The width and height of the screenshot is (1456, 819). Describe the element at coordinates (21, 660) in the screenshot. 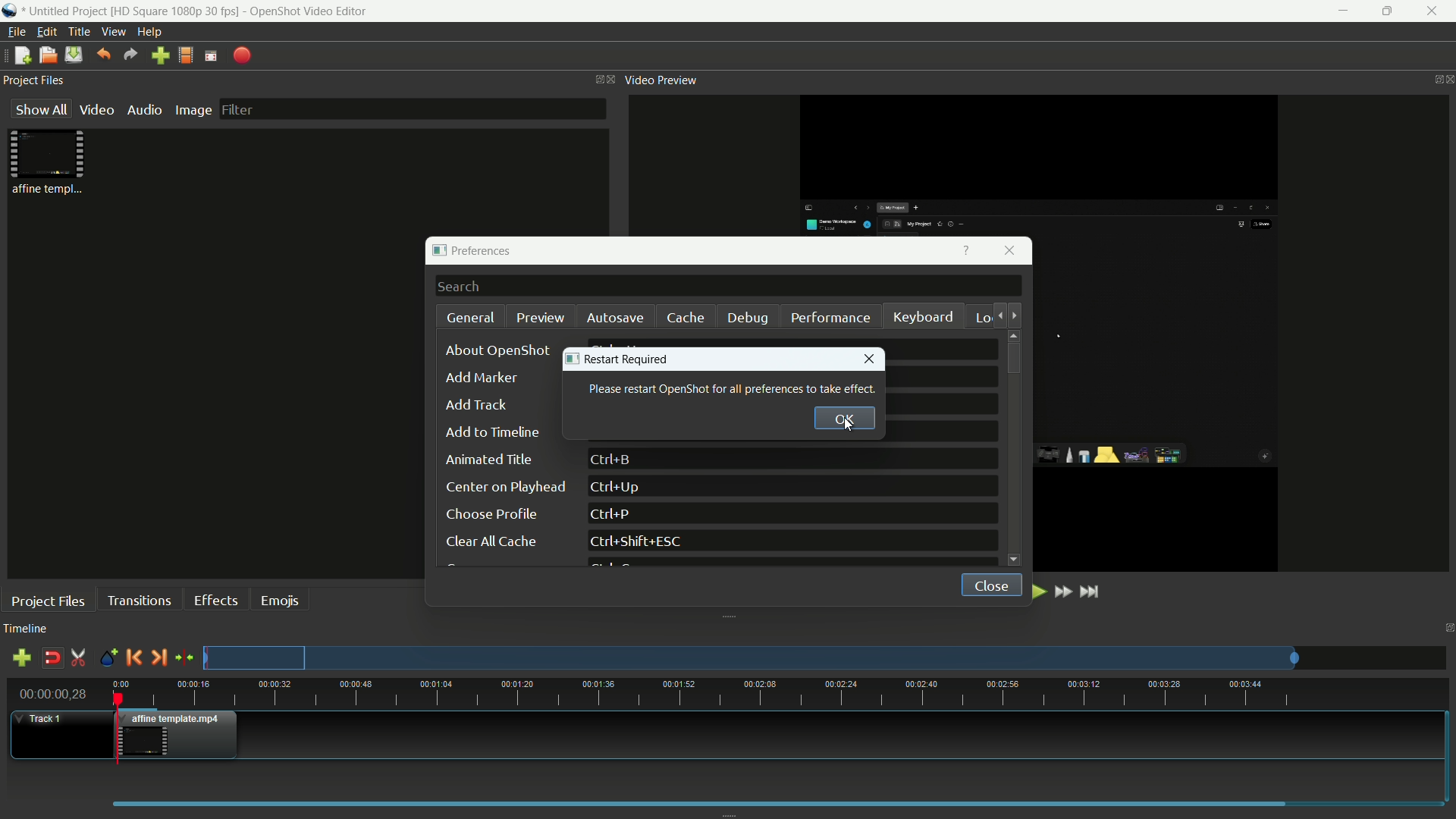

I see `add track` at that location.